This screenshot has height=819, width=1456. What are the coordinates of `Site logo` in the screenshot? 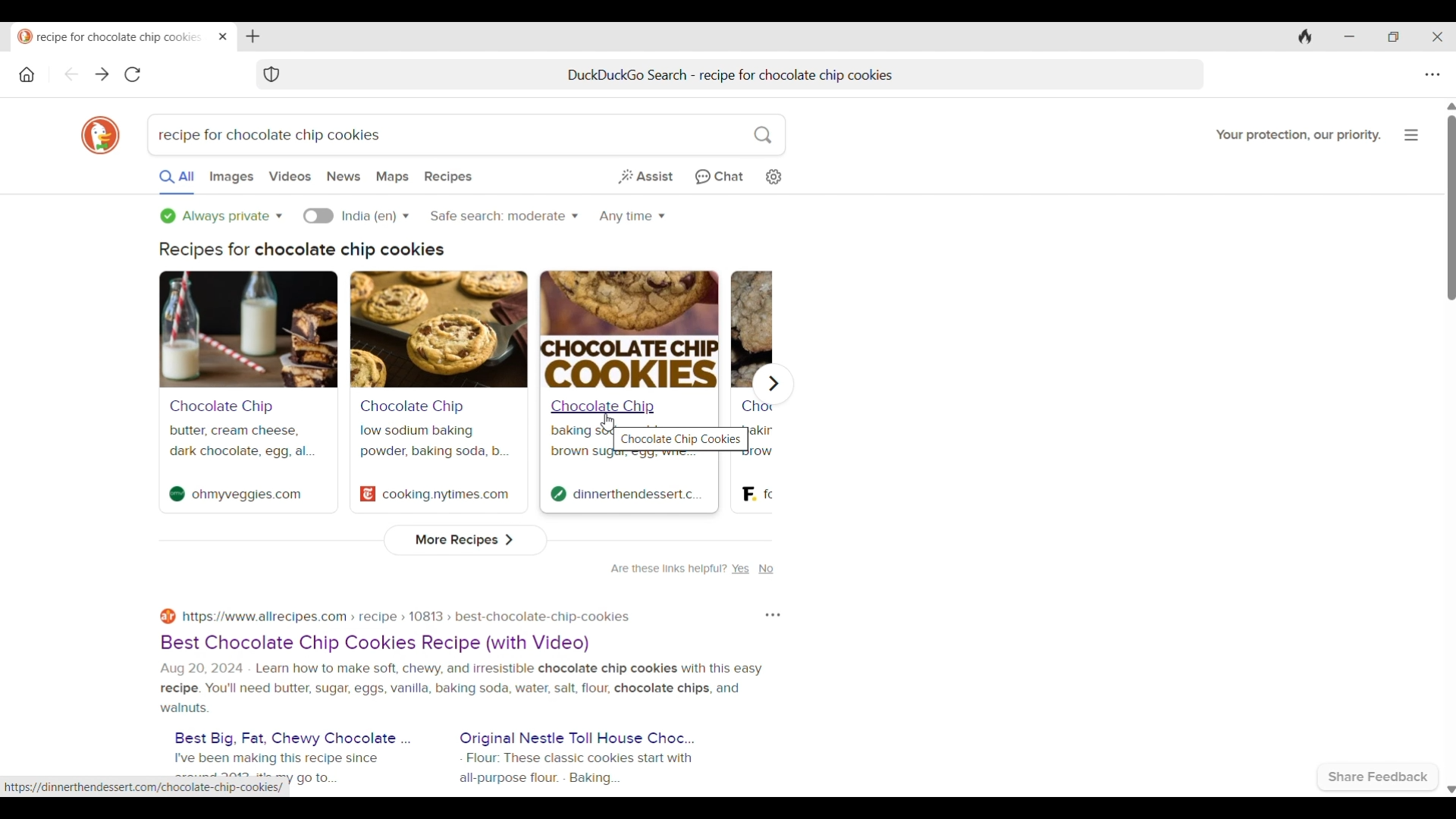 It's located at (558, 494).